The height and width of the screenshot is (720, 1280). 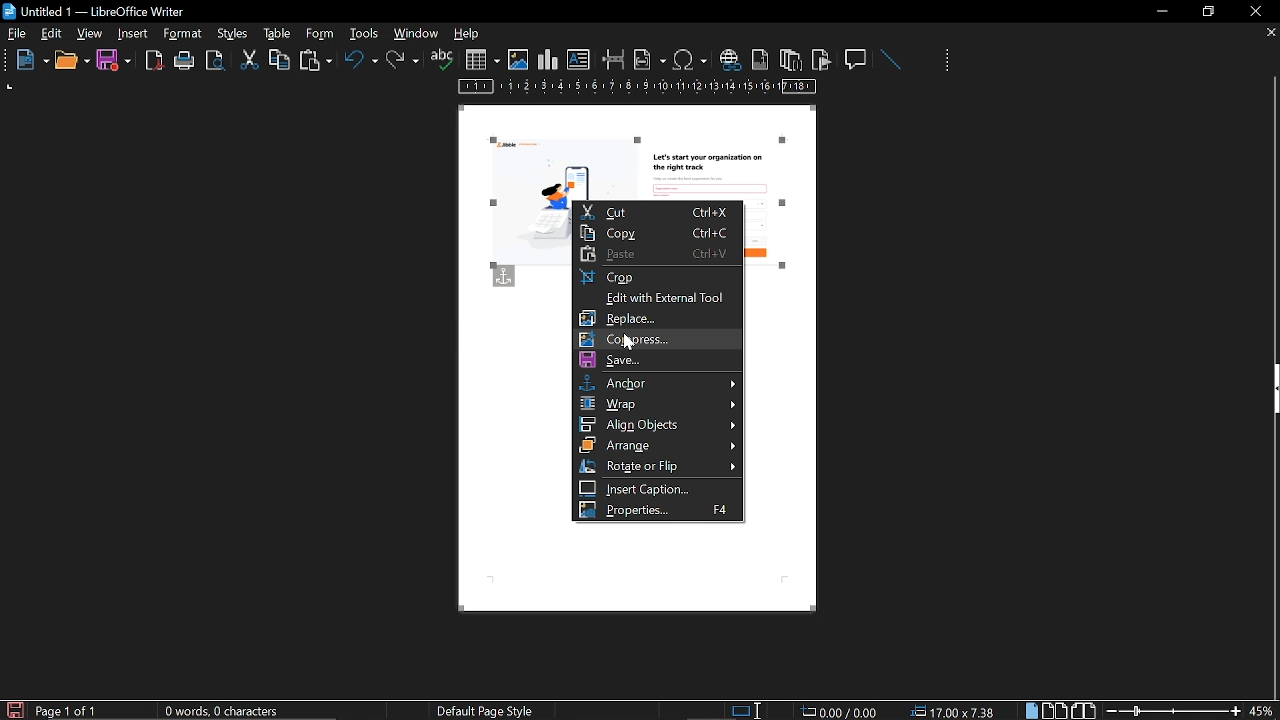 I want to click on insert hyperlink, so click(x=729, y=61).